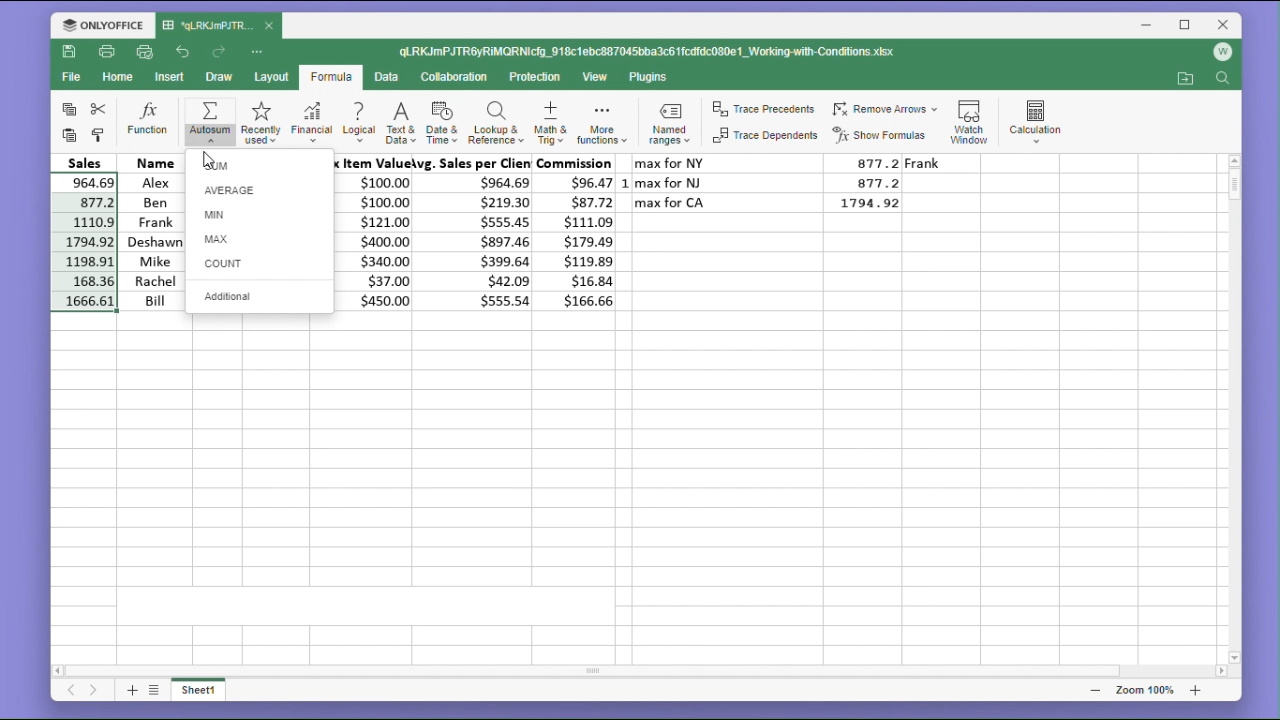 The height and width of the screenshot is (720, 1280). What do you see at coordinates (762, 107) in the screenshot?
I see `trace predecents` at bounding box center [762, 107].